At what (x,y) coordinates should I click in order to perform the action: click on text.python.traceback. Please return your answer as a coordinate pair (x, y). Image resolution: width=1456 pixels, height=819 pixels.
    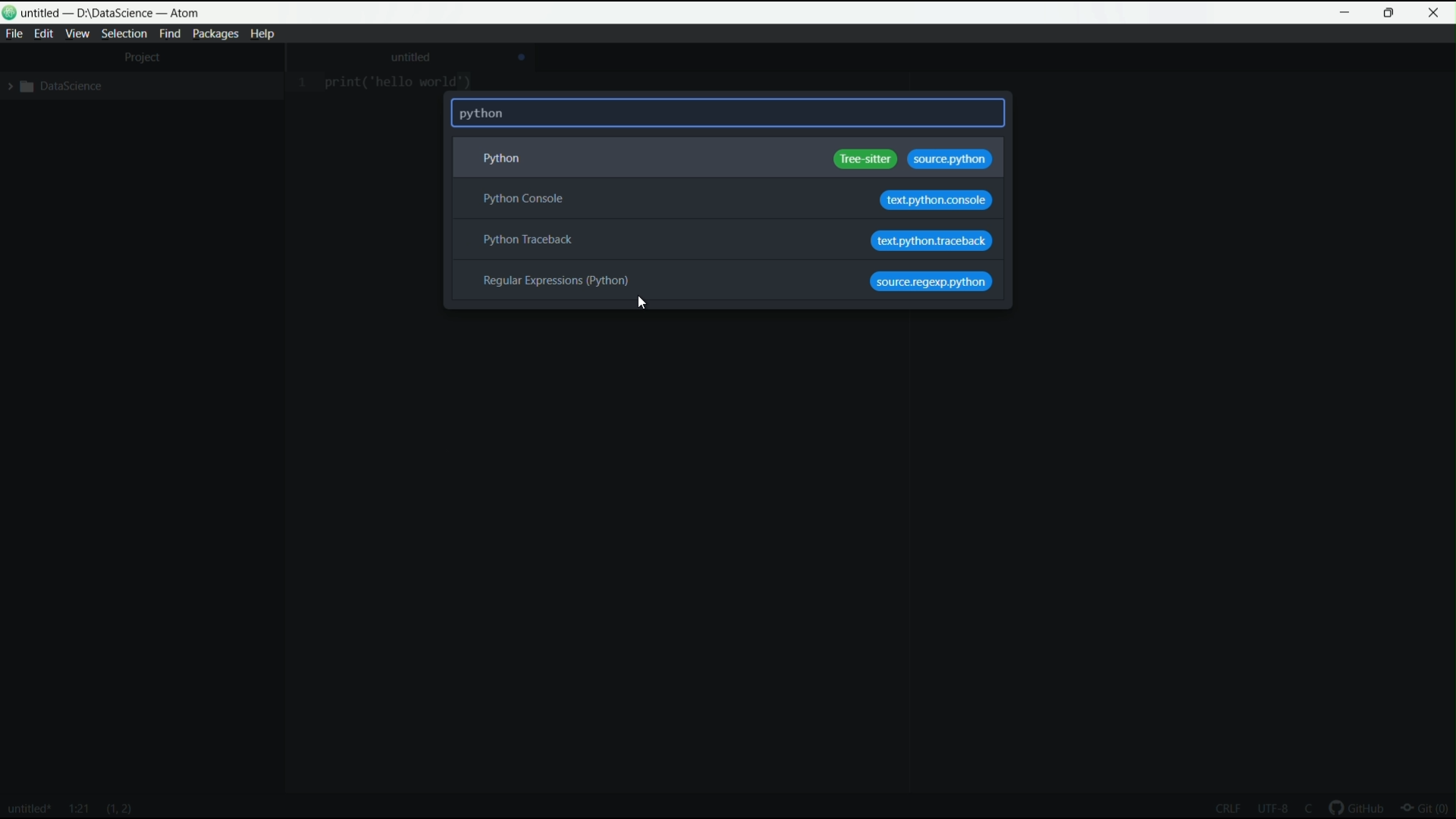
    Looking at the image, I should click on (932, 242).